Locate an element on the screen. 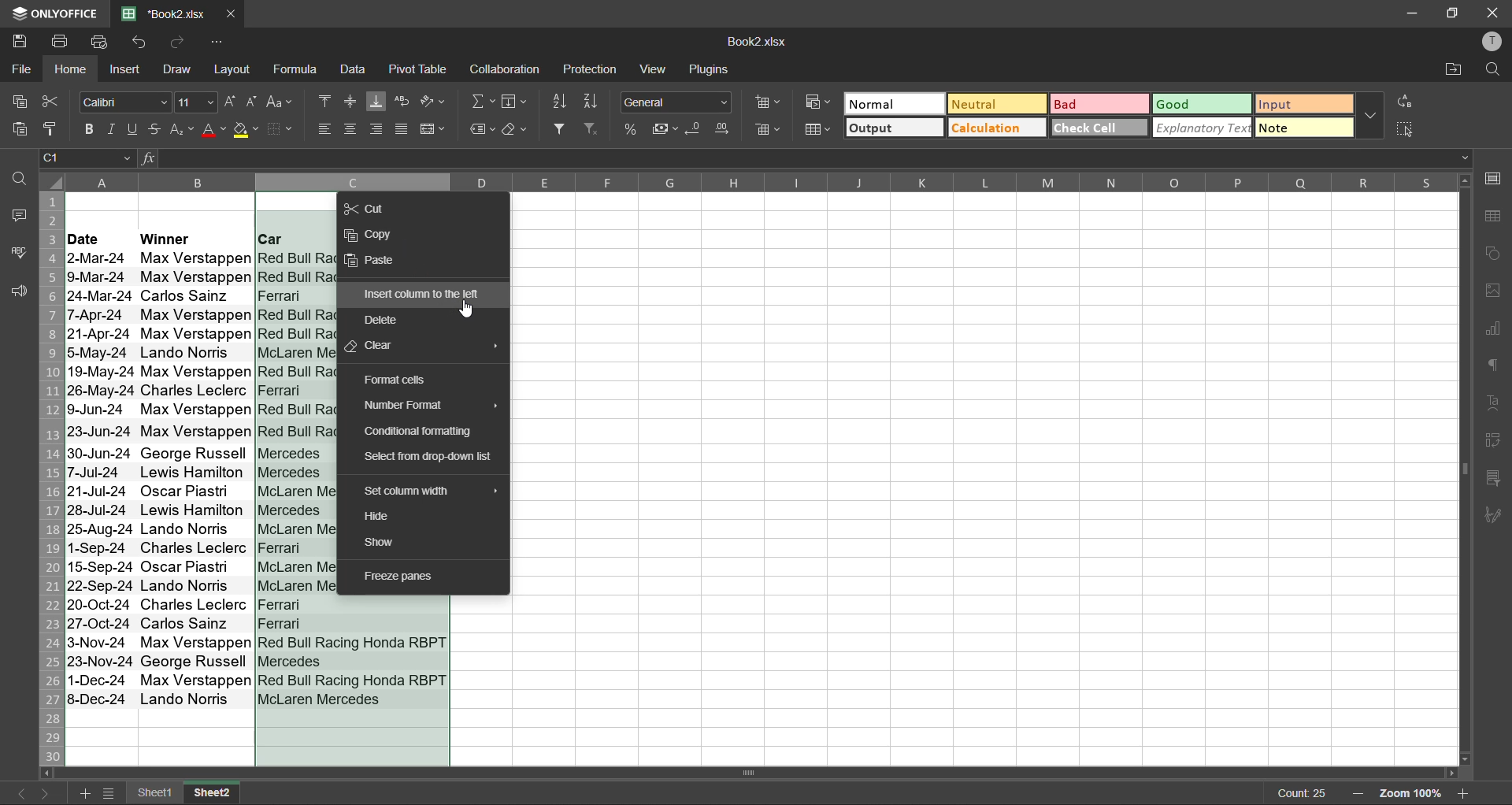 The height and width of the screenshot is (805, 1512). named ranges is located at coordinates (482, 129).